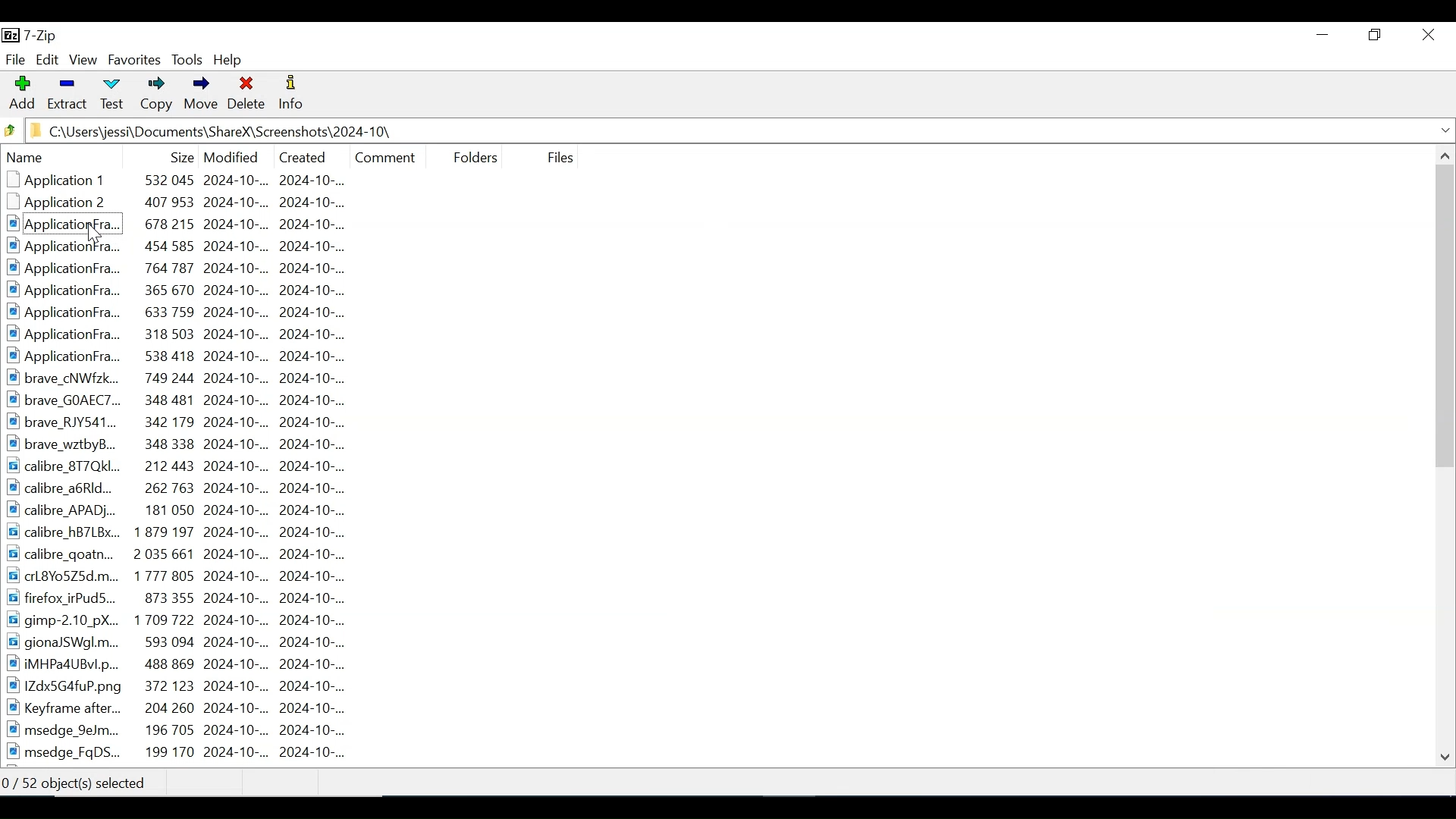 This screenshot has width=1456, height=819. I want to click on gionaJSWgl.m... 593 094 2024-10-.. 2024-10-..., so click(184, 642).